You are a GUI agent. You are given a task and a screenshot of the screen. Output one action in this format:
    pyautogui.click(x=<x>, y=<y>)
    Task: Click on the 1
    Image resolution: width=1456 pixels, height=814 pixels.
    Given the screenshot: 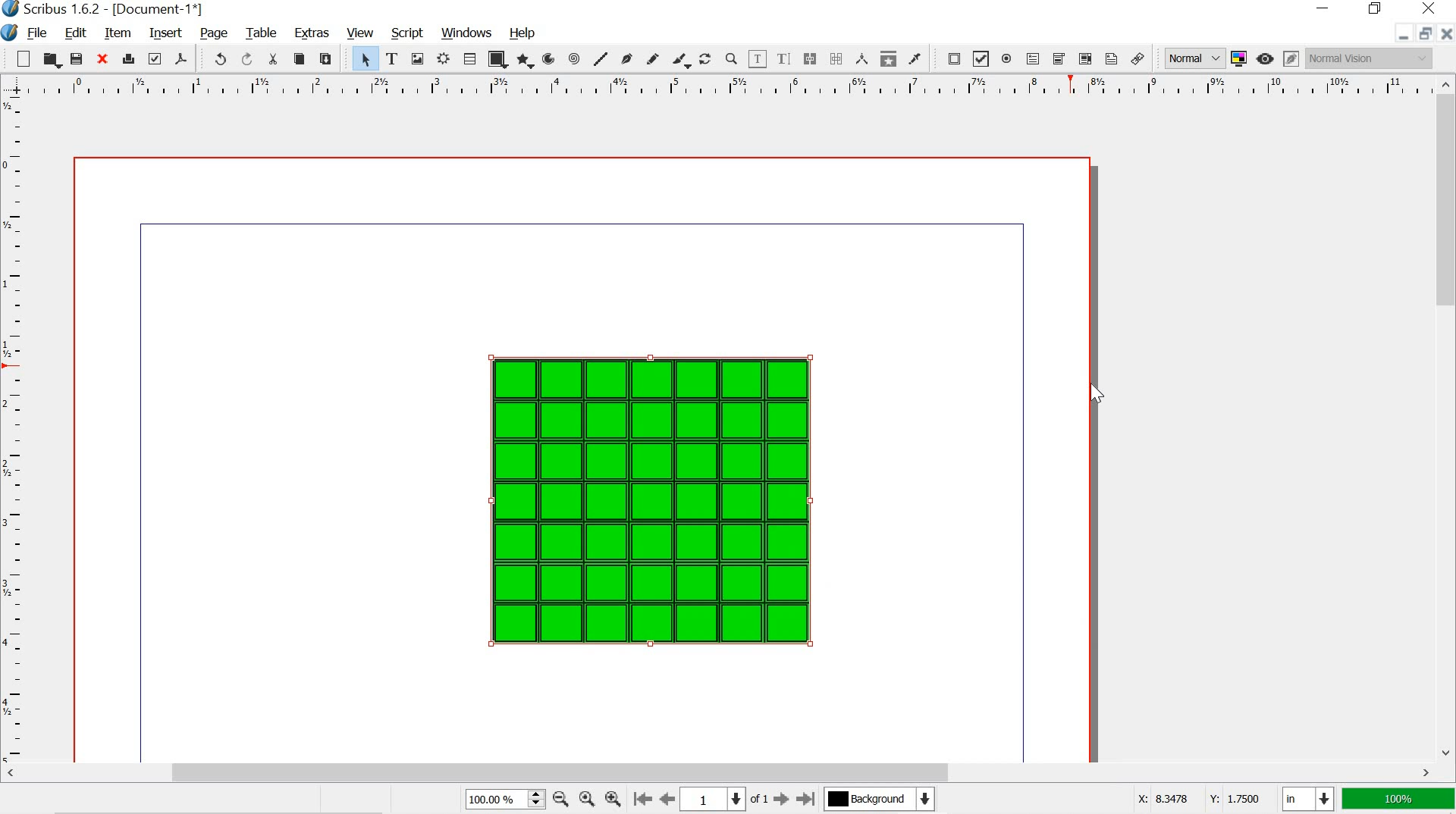 What is the action you would take?
    pyautogui.click(x=702, y=800)
    